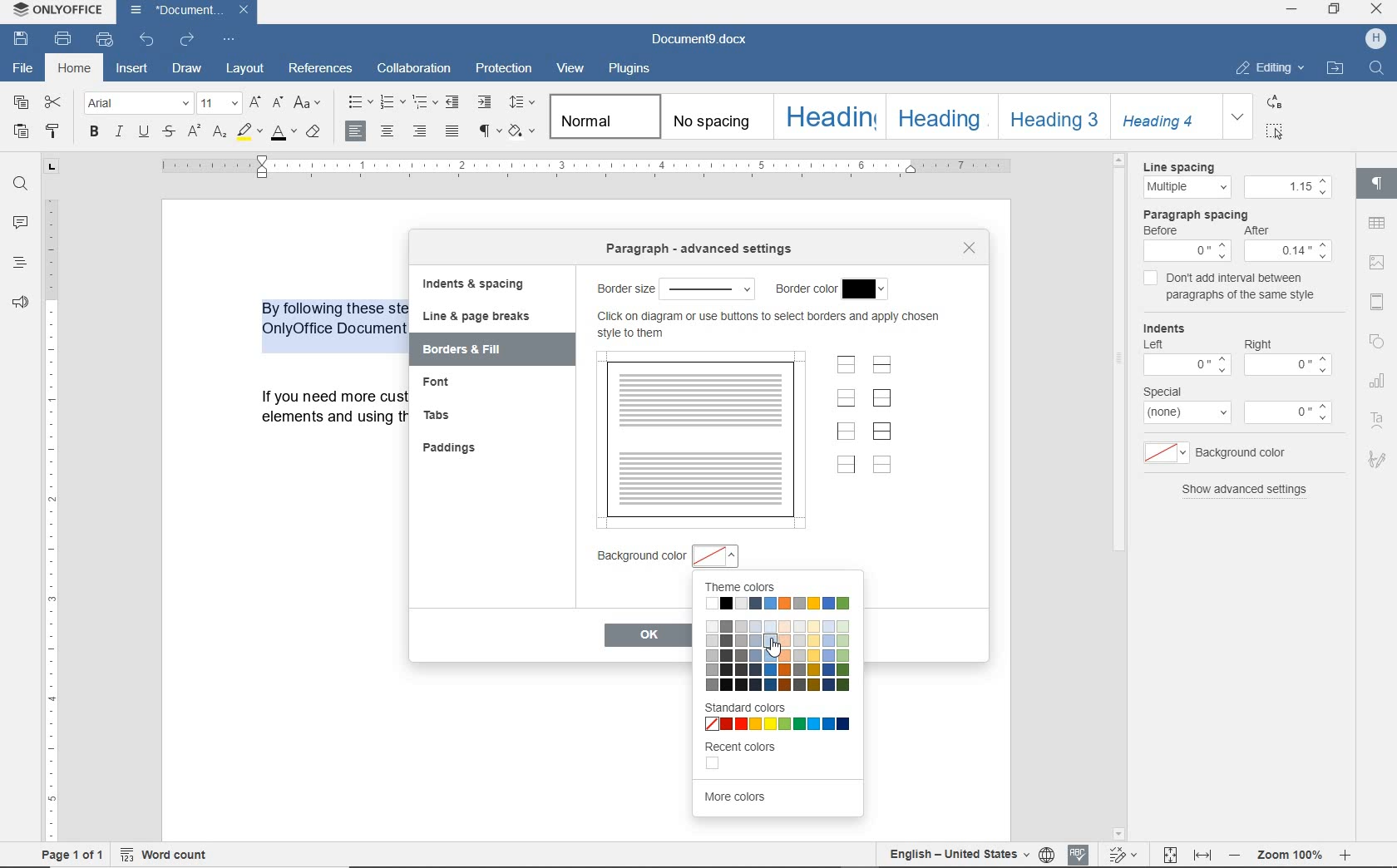 The image size is (1397, 868). I want to click on border color, so click(804, 289).